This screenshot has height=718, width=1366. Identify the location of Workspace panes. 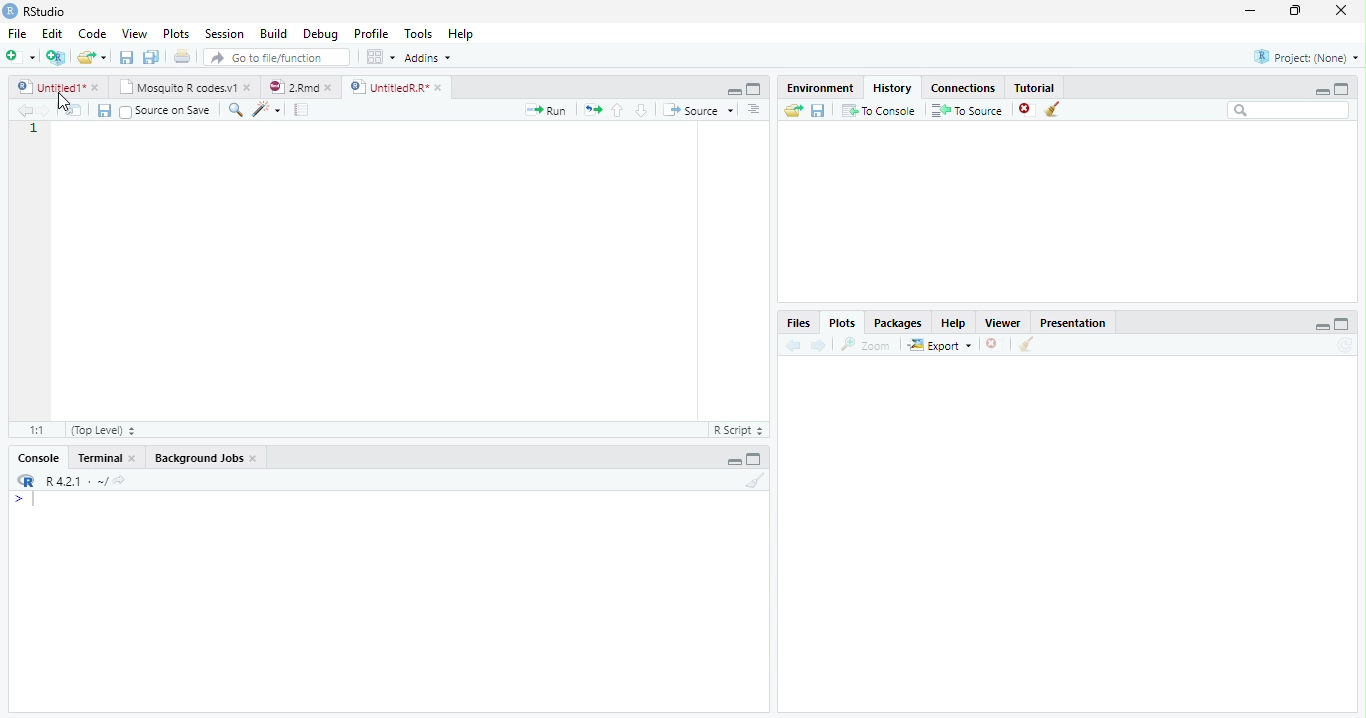
(381, 58).